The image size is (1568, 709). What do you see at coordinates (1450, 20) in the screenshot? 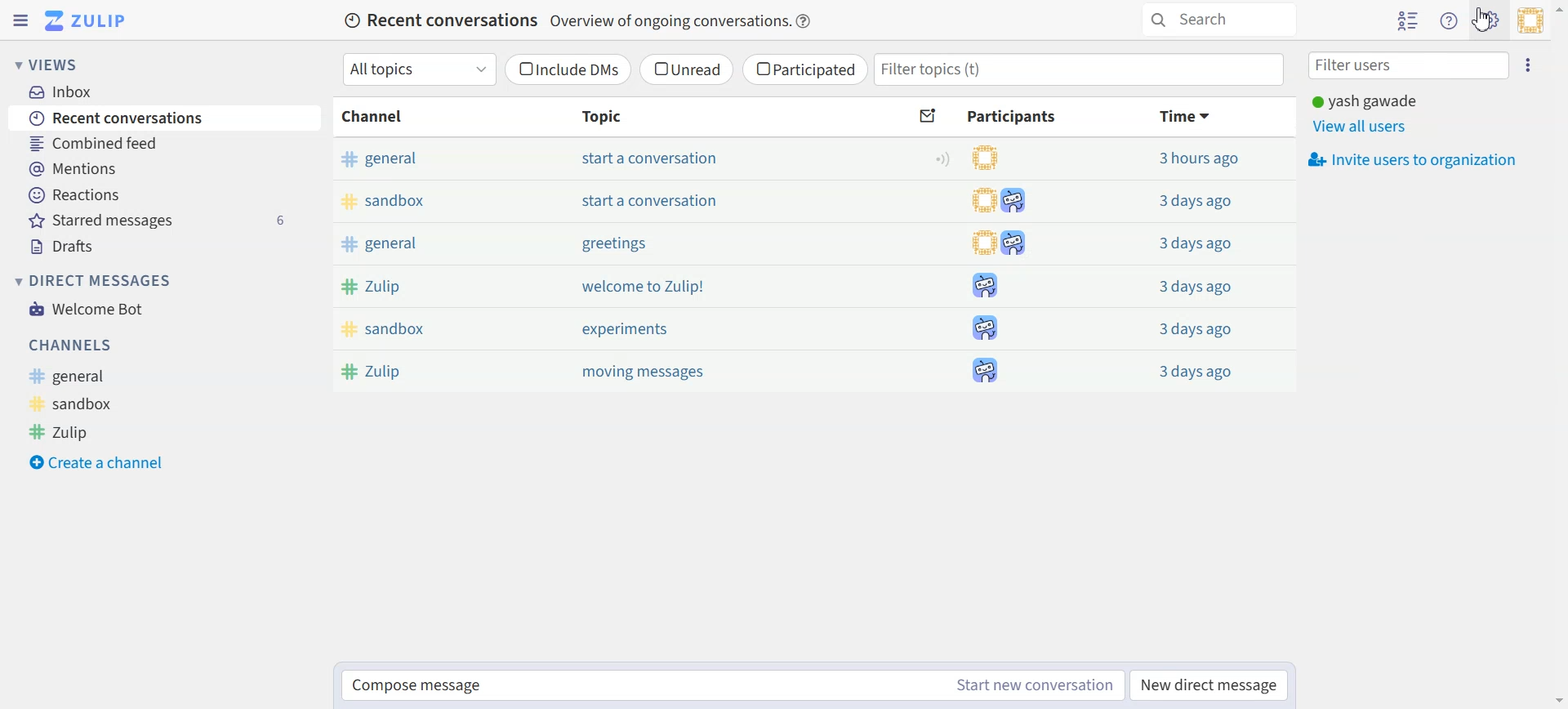
I see `Help menu` at bounding box center [1450, 20].